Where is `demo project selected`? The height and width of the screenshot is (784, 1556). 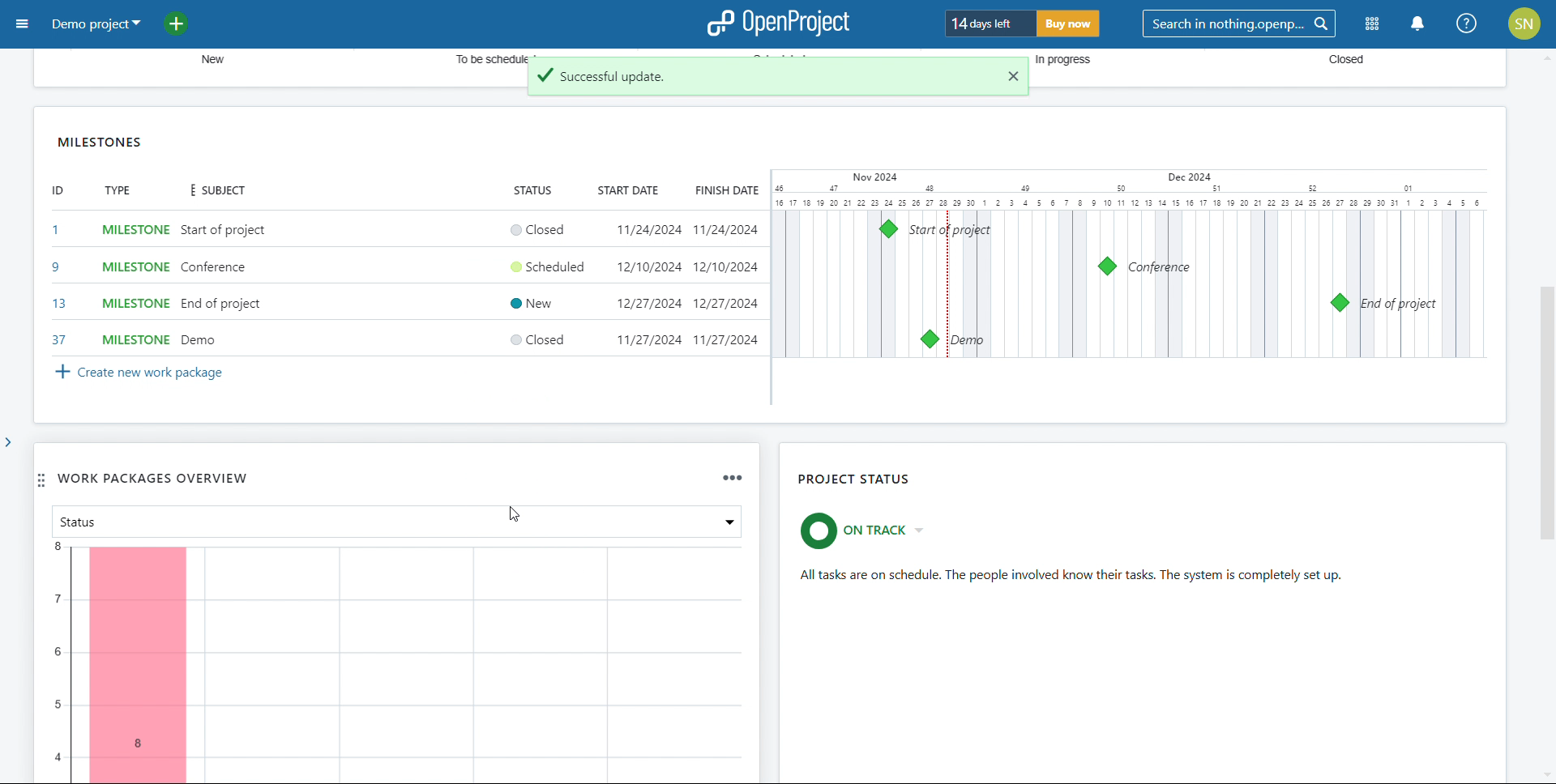
demo project selected is located at coordinates (95, 23).